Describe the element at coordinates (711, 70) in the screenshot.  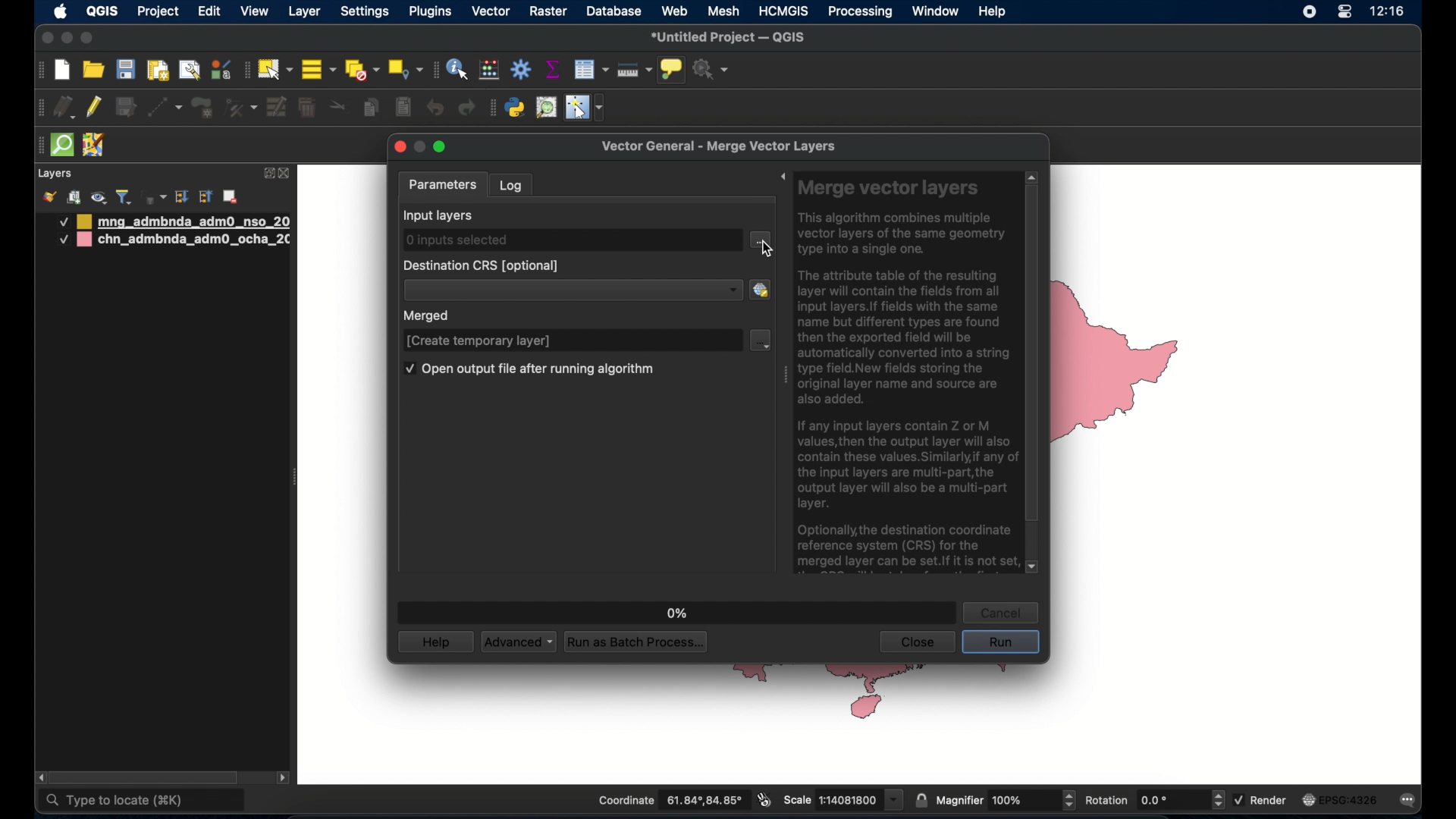
I see `no action selected` at that location.